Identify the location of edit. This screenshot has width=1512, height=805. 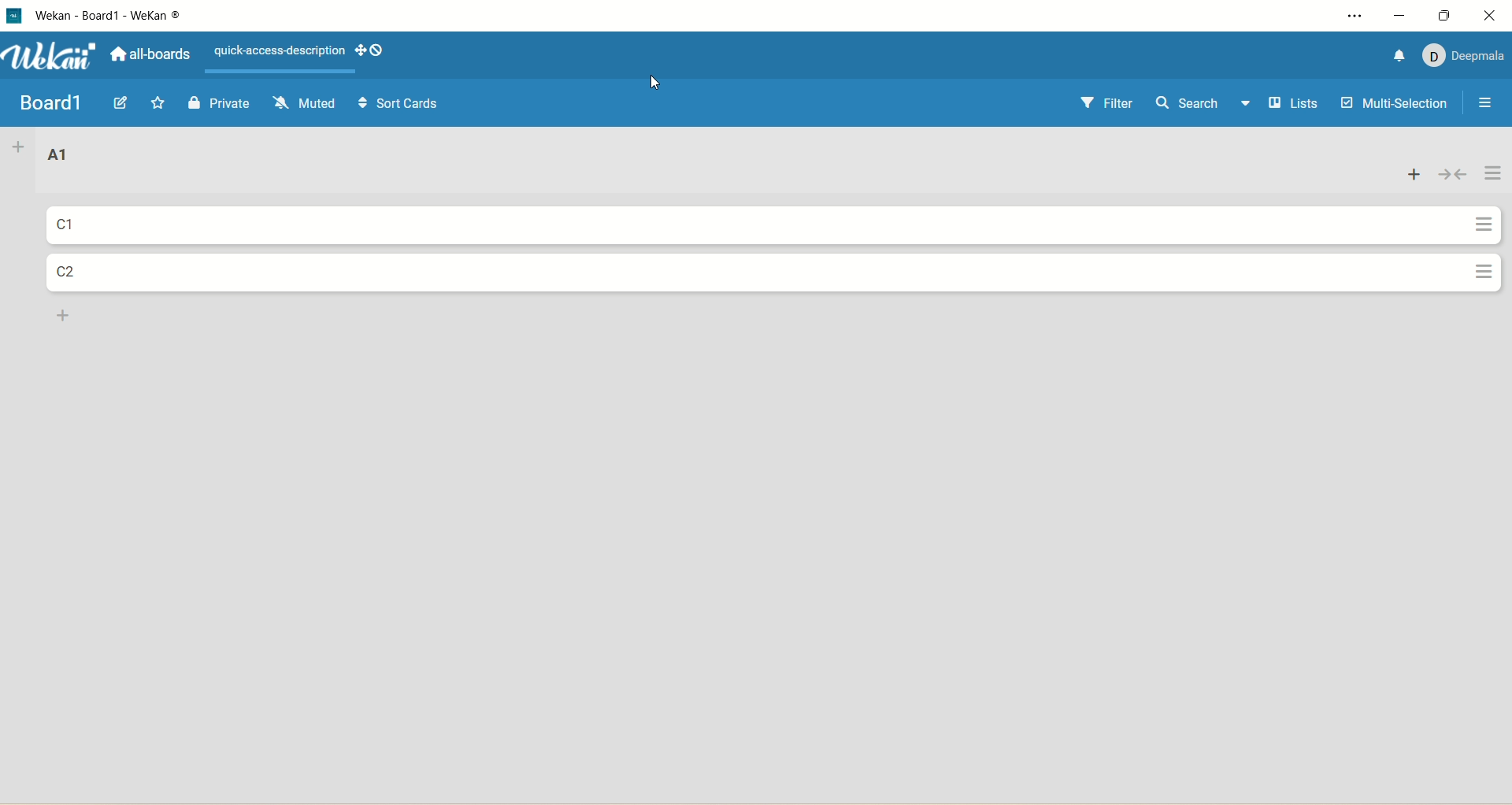
(120, 102).